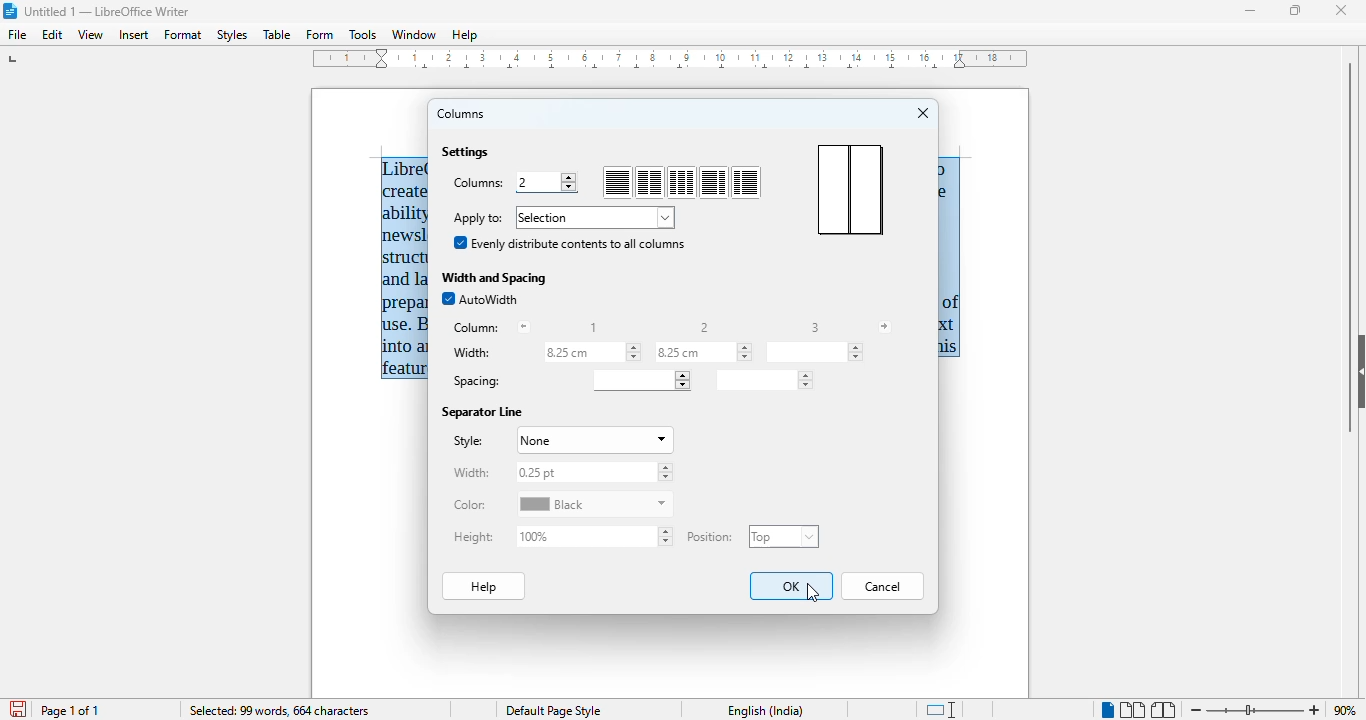 The height and width of the screenshot is (720, 1366). I want to click on OK, so click(792, 586).